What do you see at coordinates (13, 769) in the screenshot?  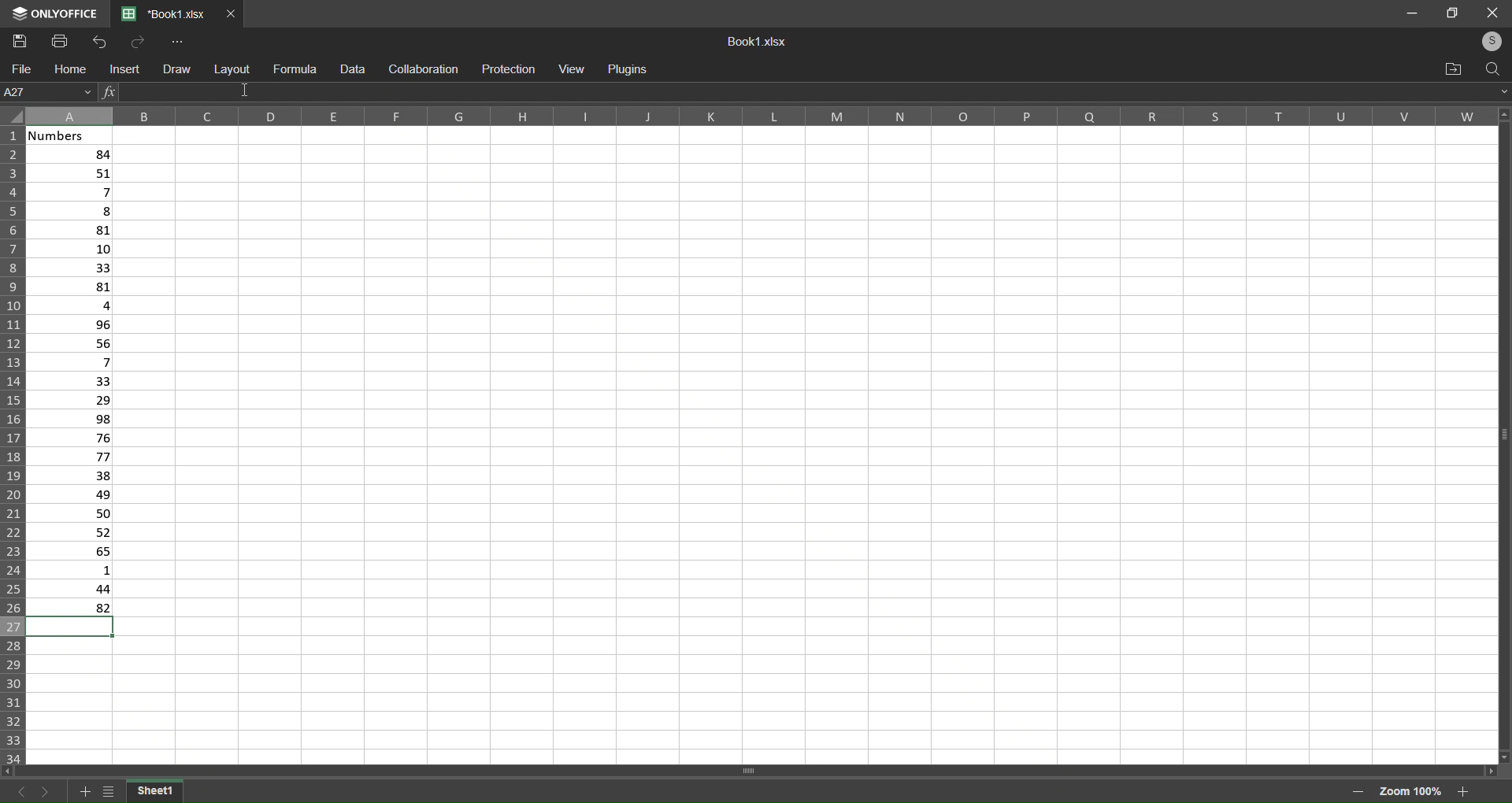 I see `move left` at bounding box center [13, 769].